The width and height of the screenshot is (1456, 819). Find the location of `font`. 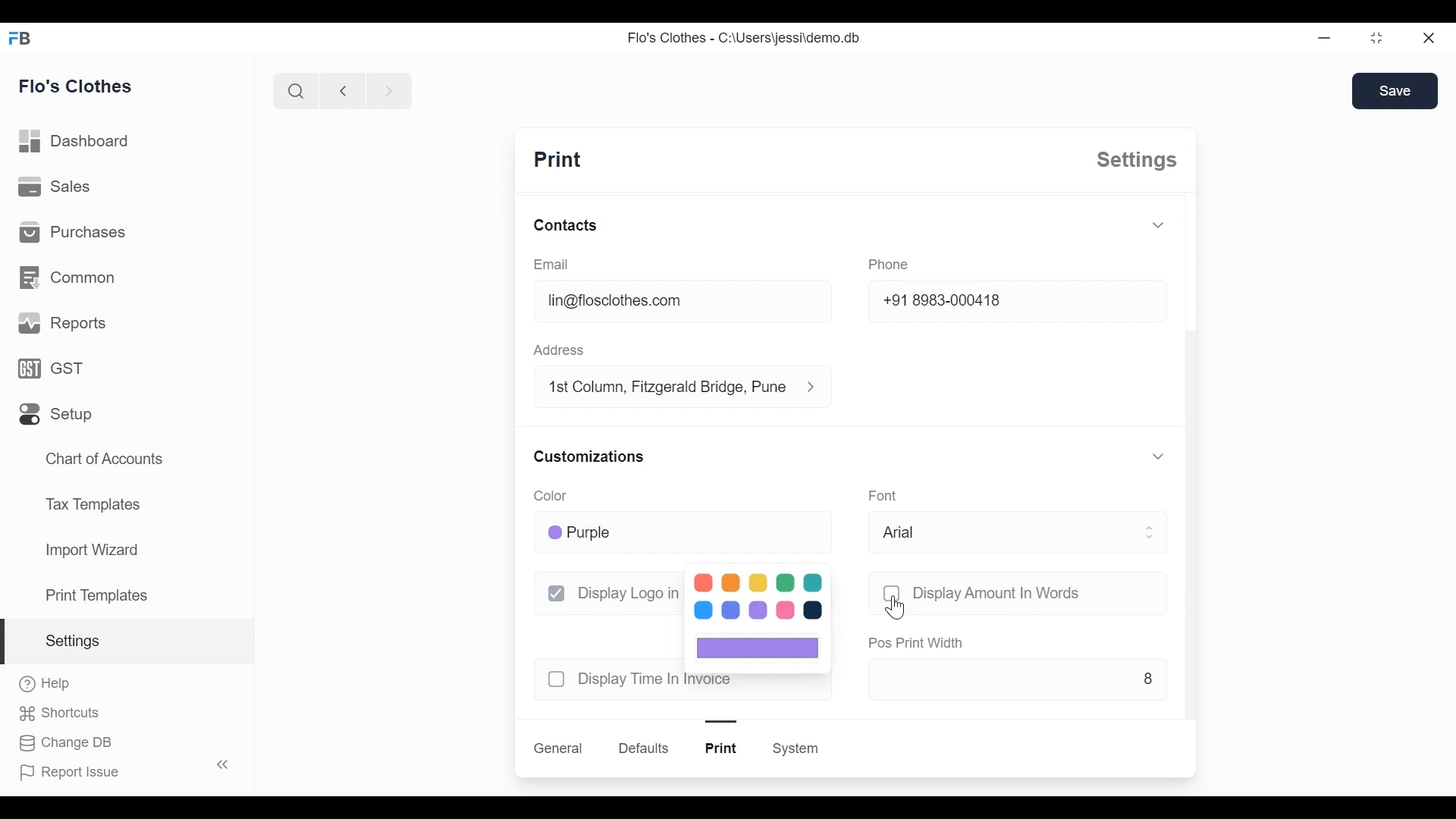

font is located at coordinates (883, 494).